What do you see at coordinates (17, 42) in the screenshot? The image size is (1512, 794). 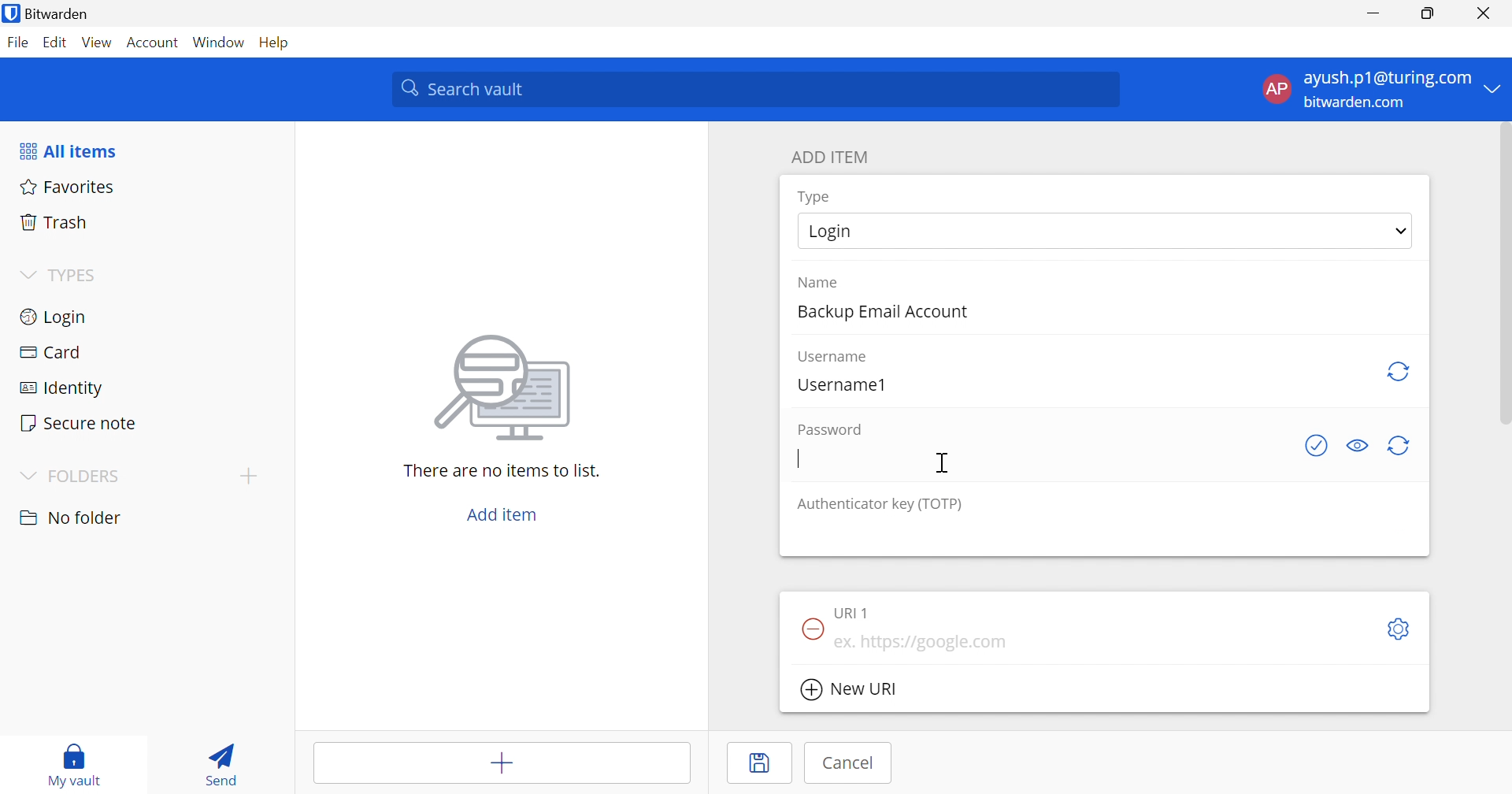 I see `File` at bounding box center [17, 42].